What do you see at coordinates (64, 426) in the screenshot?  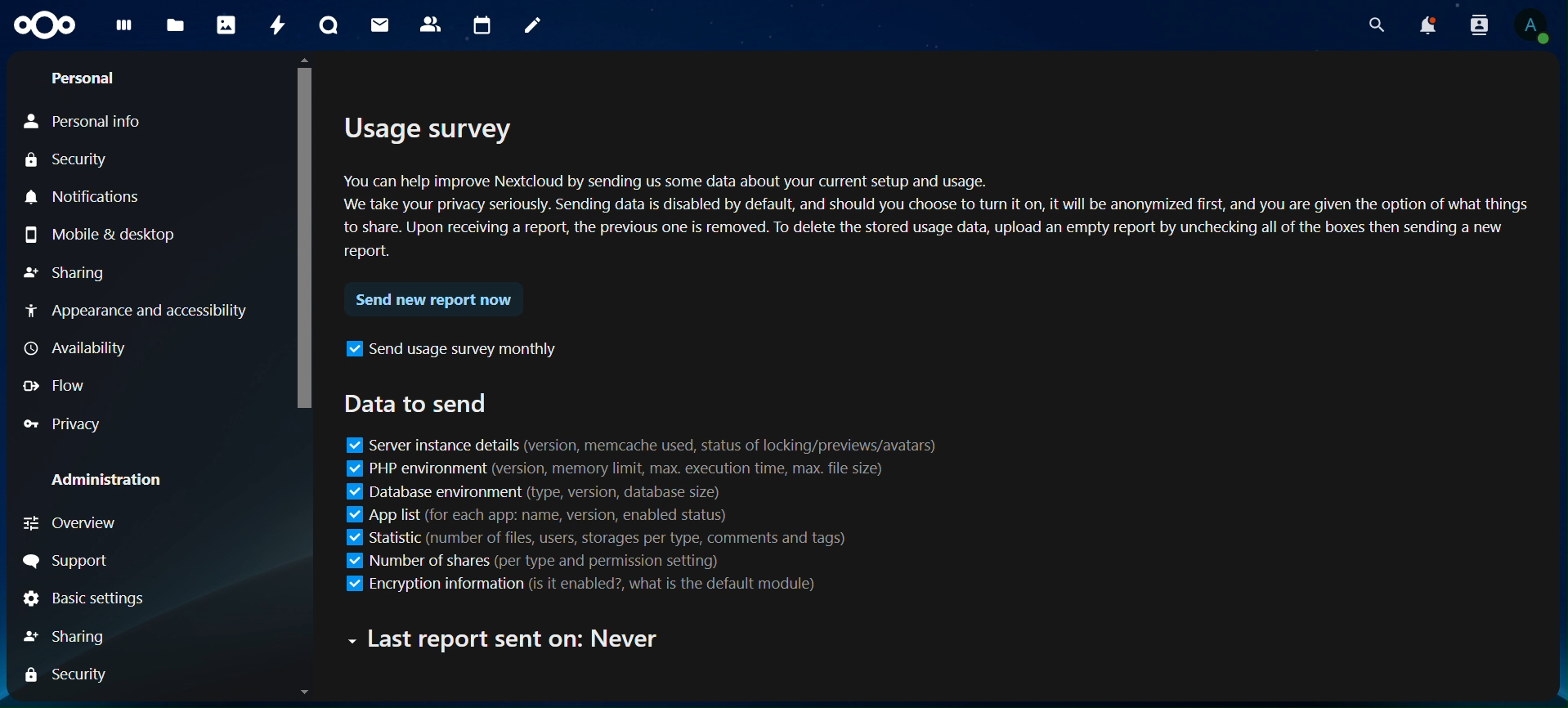 I see `Privacy` at bounding box center [64, 426].